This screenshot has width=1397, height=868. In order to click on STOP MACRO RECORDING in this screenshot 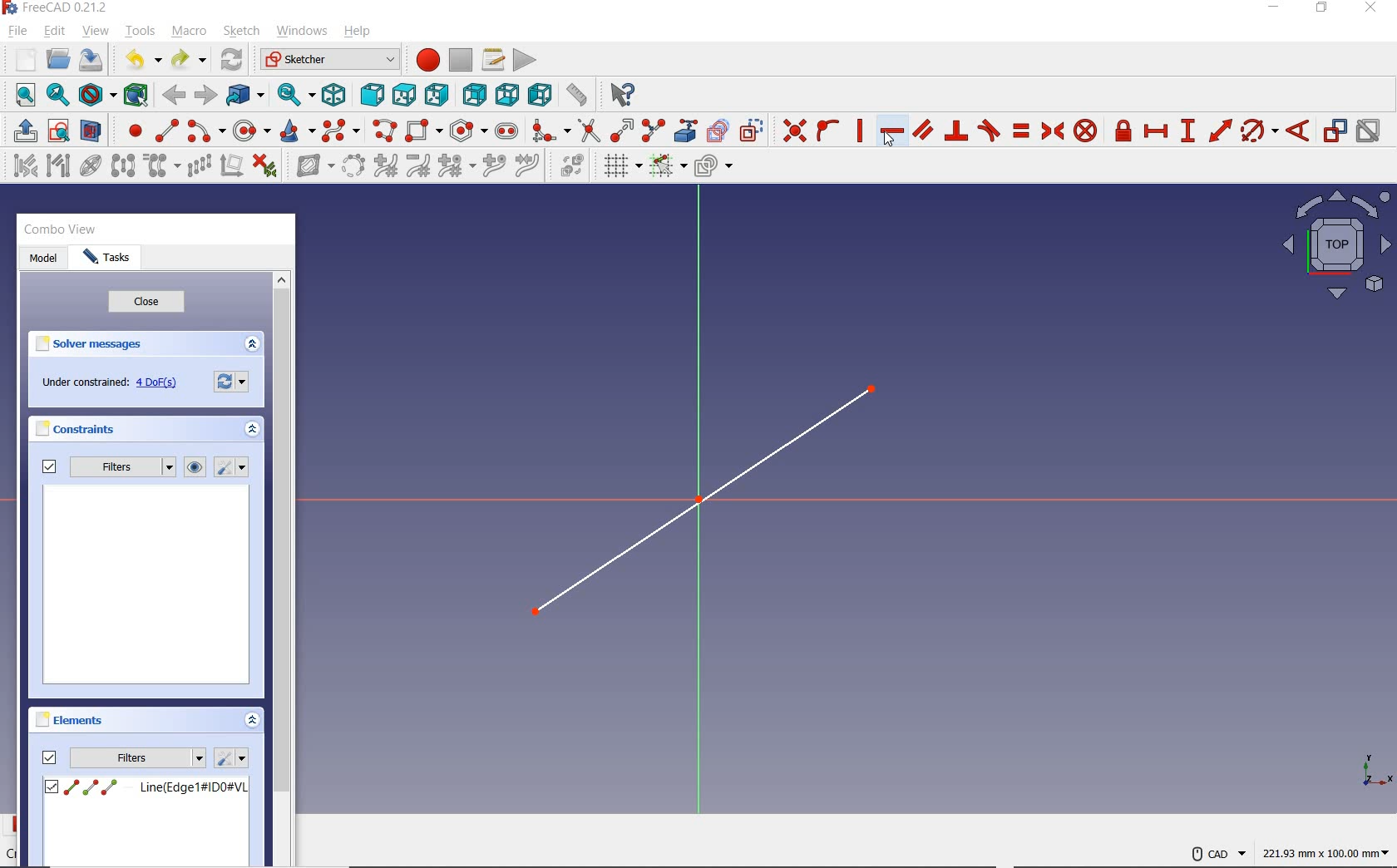, I will do `click(461, 58)`.